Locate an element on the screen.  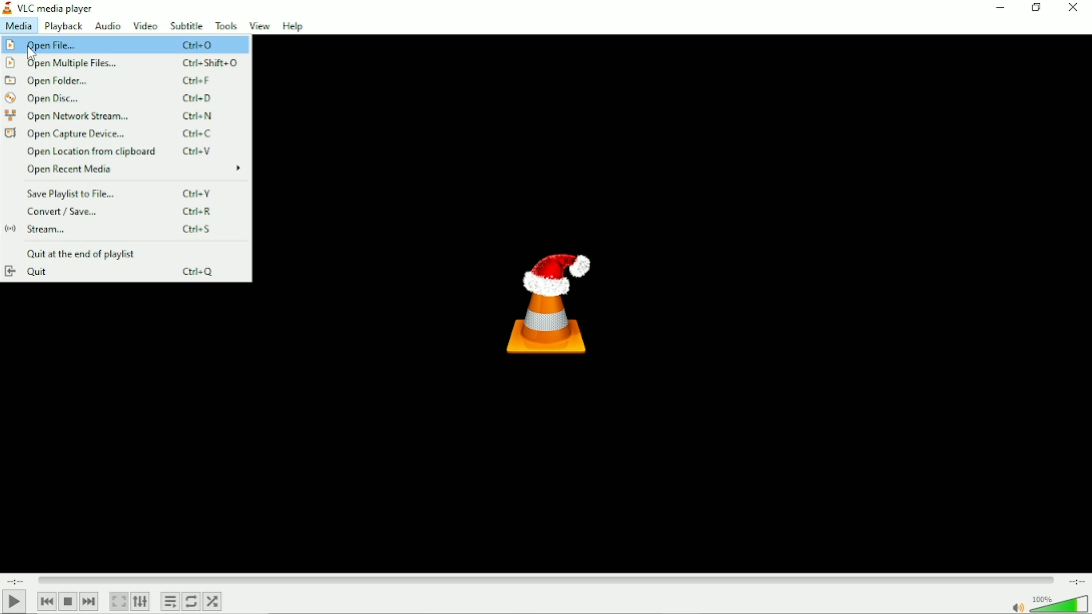
Save playlist to file is located at coordinates (119, 192).